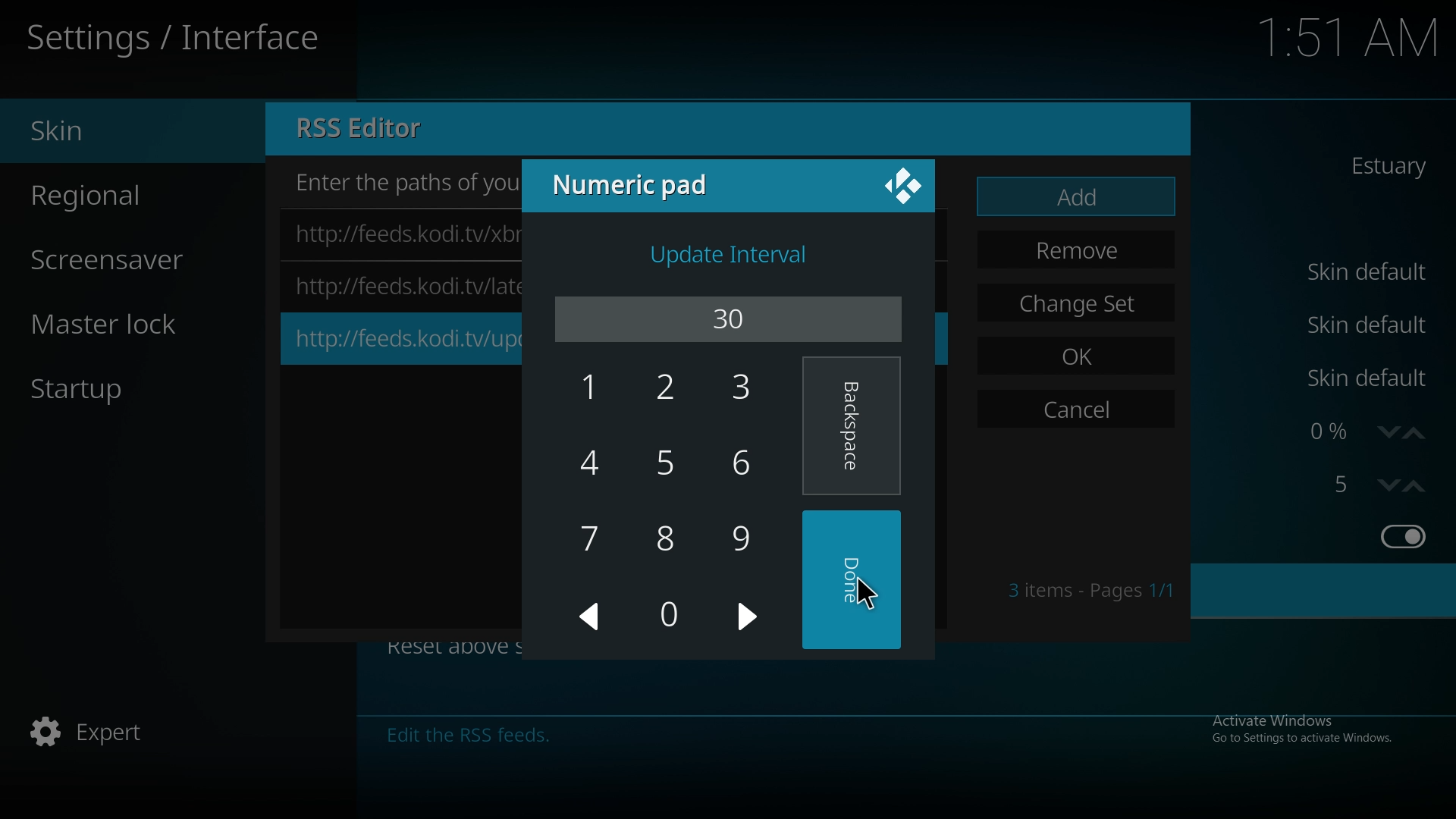 This screenshot has height=819, width=1456. I want to click on left arrow, so click(587, 619).